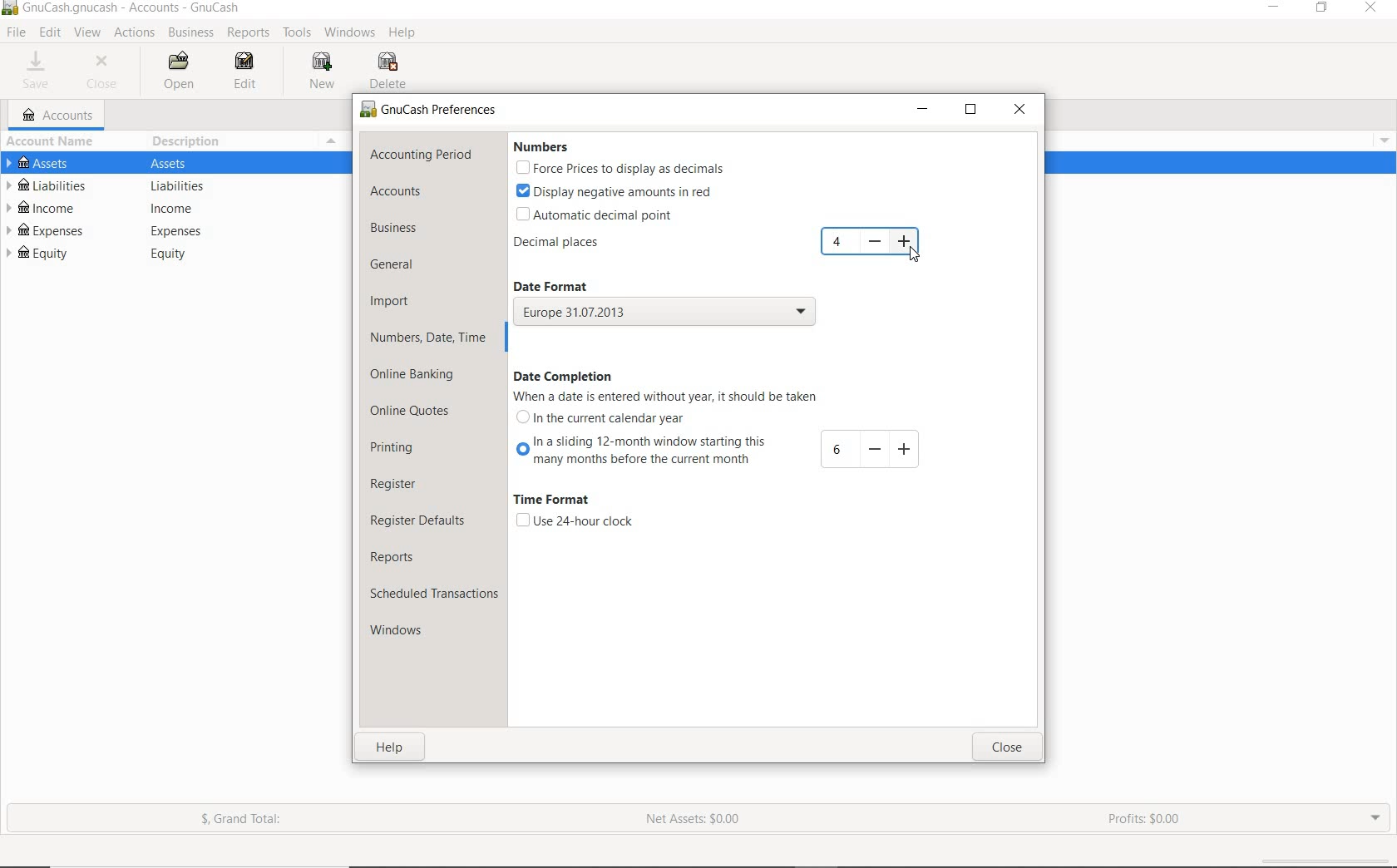  Describe the element at coordinates (394, 191) in the screenshot. I see `accounts` at that location.